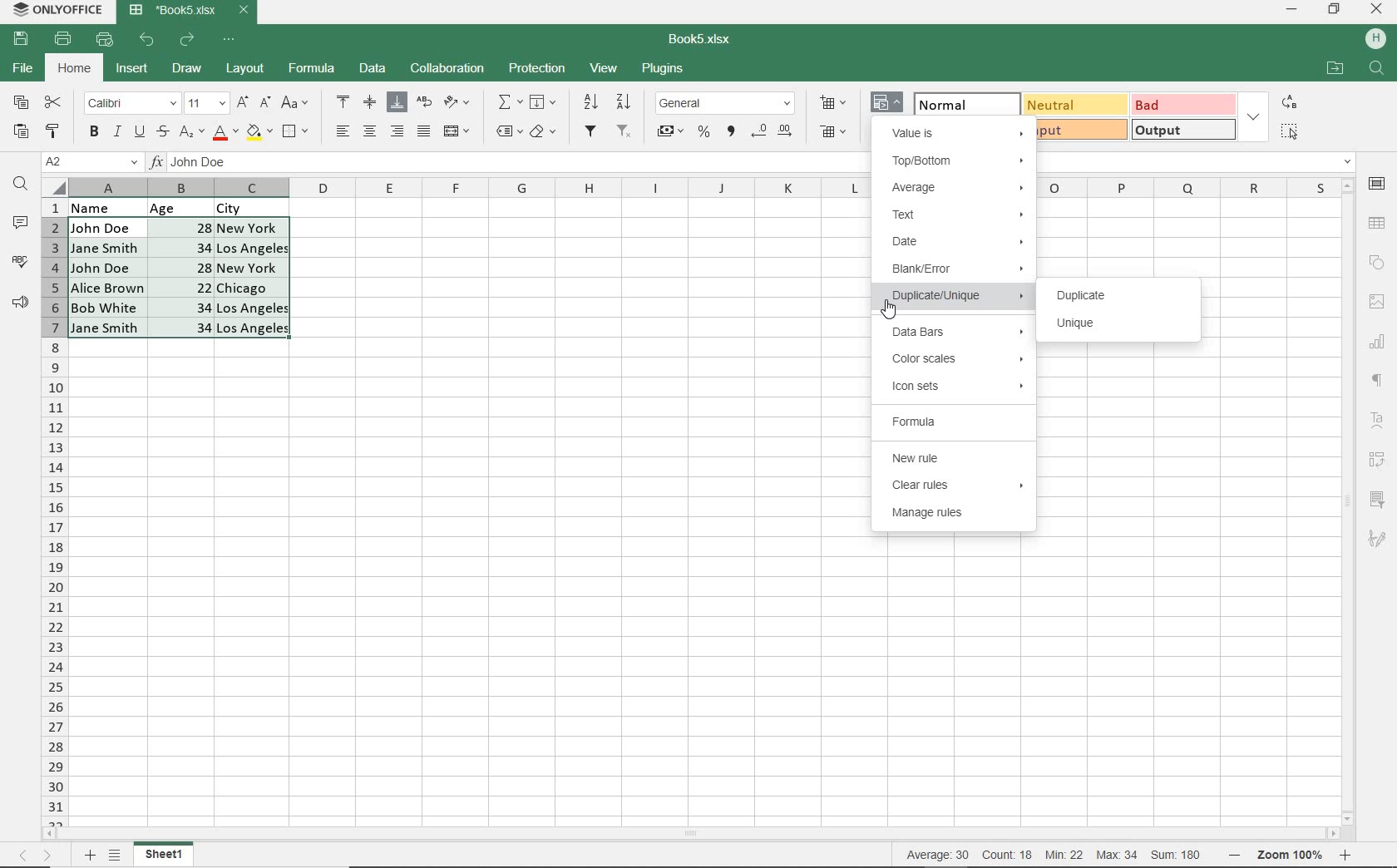 The width and height of the screenshot is (1397, 868). Describe the element at coordinates (76, 70) in the screenshot. I see `HOME` at that location.